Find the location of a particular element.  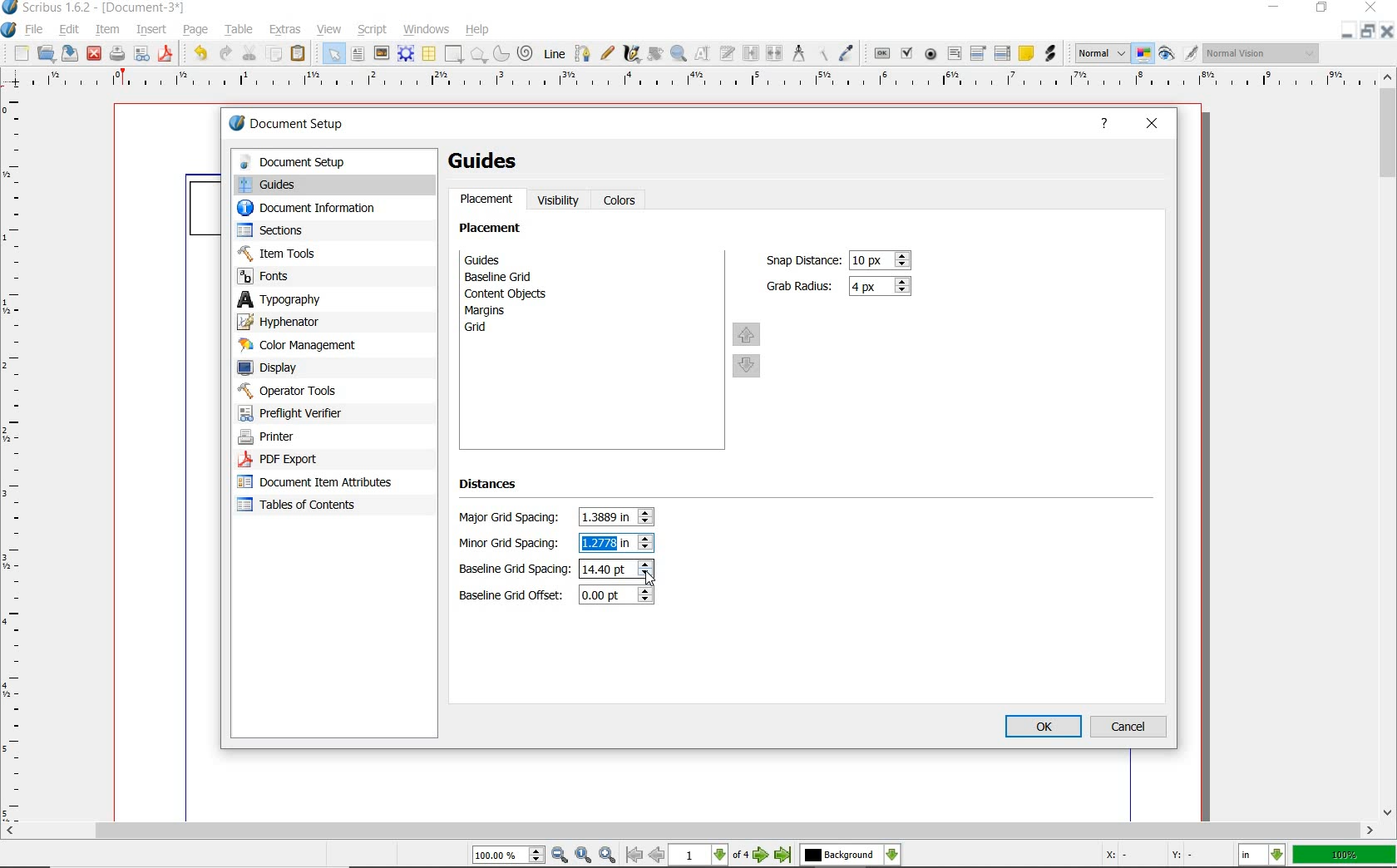

margins is located at coordinates (494, 310).